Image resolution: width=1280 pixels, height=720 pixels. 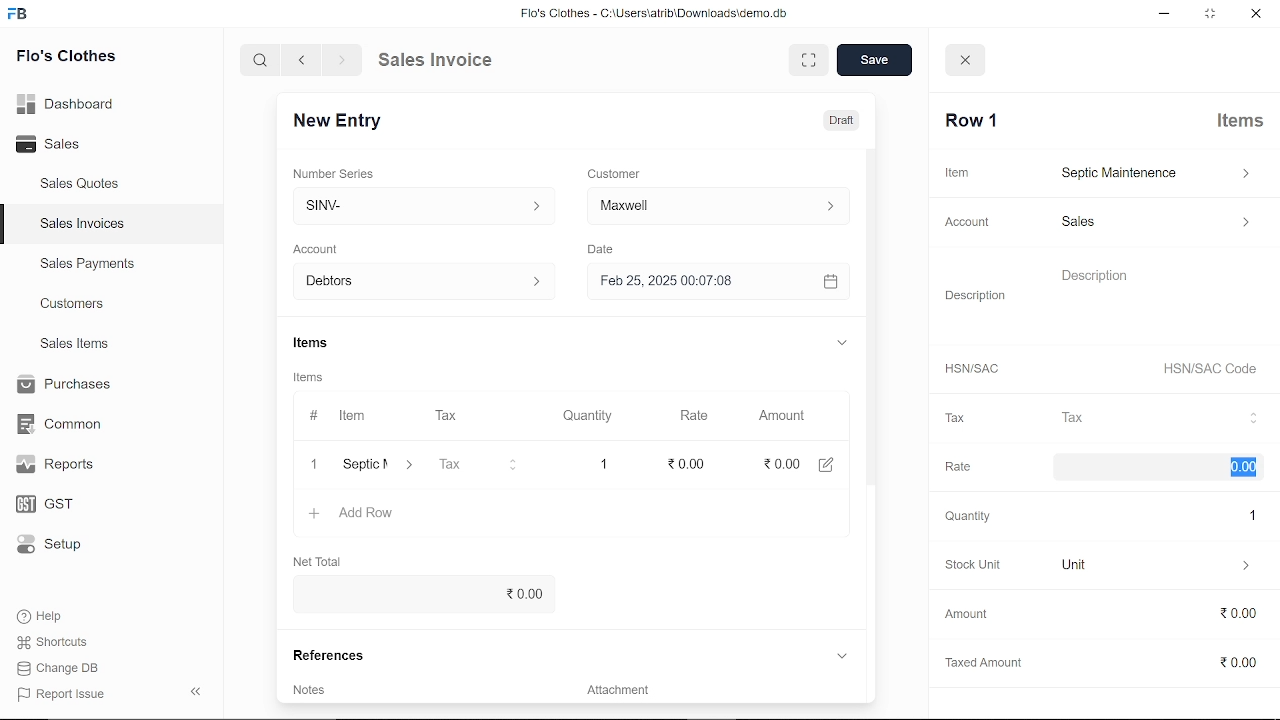 I want to click on unit, so click(x=1158, y=566).